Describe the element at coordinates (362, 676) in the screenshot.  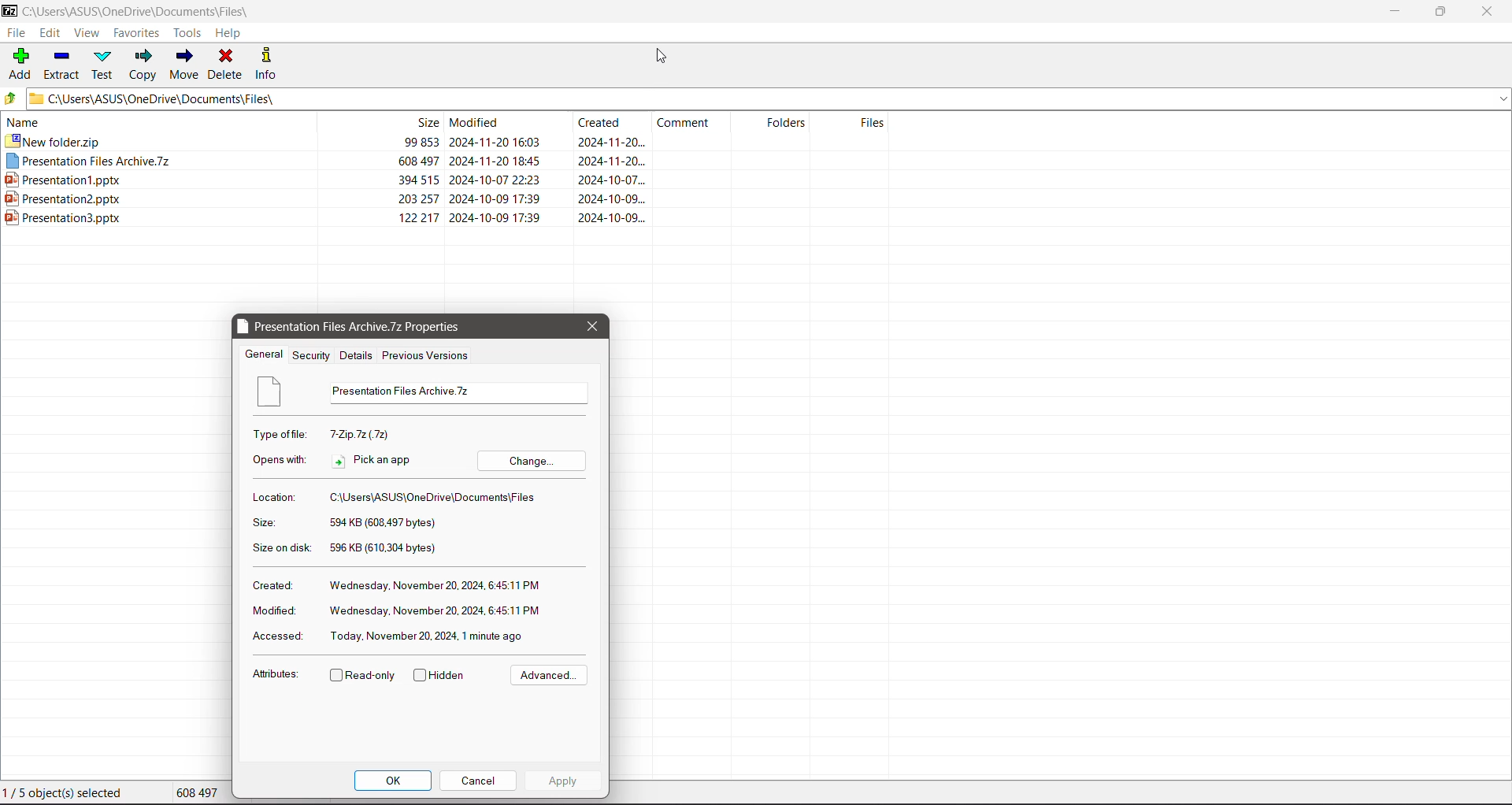
I see `Read-Only - Click to enable/disable` at that location.